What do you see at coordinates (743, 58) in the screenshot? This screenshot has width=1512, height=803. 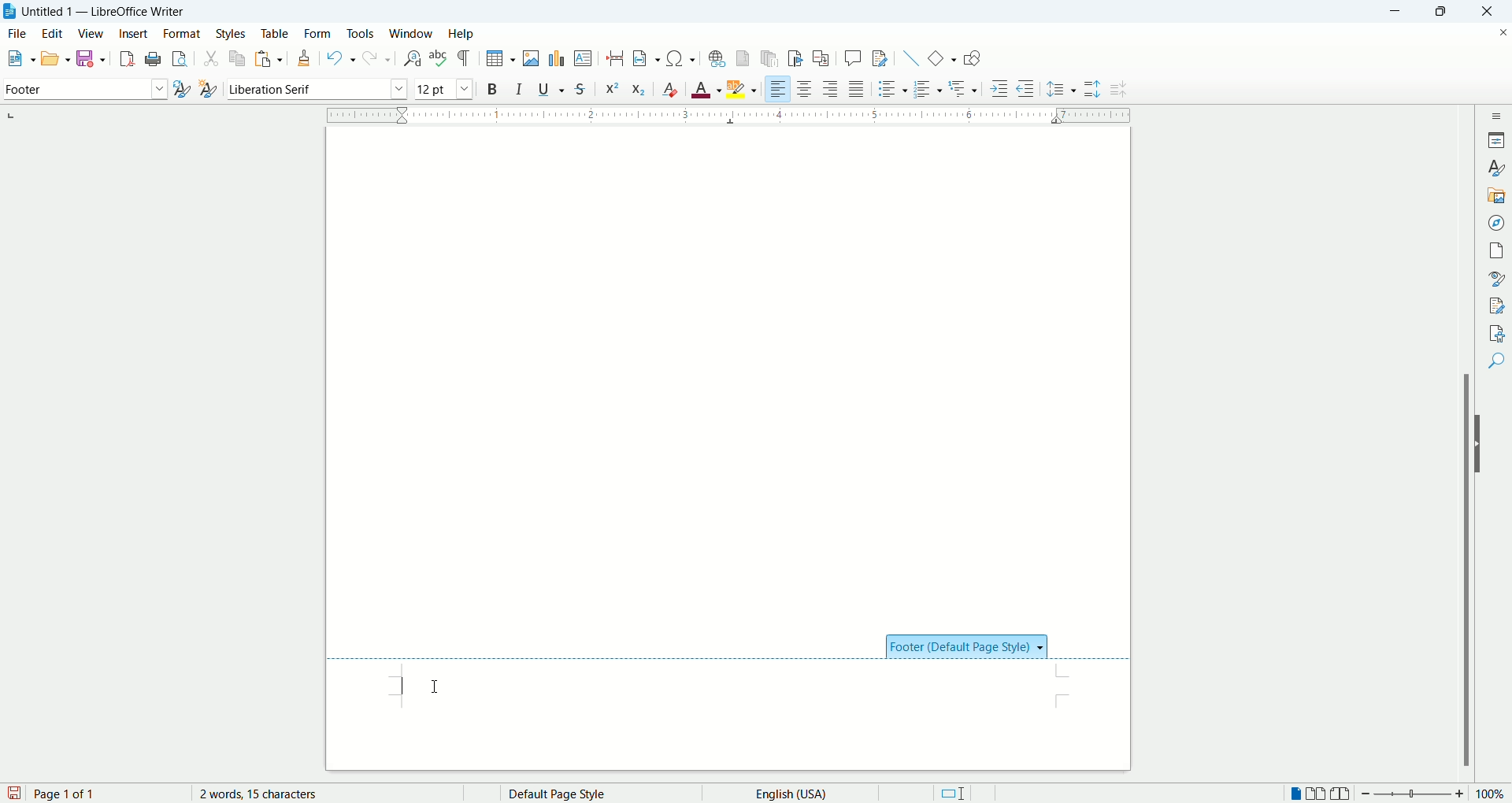 I see `insert footnote` at bounding box center [743, 58].